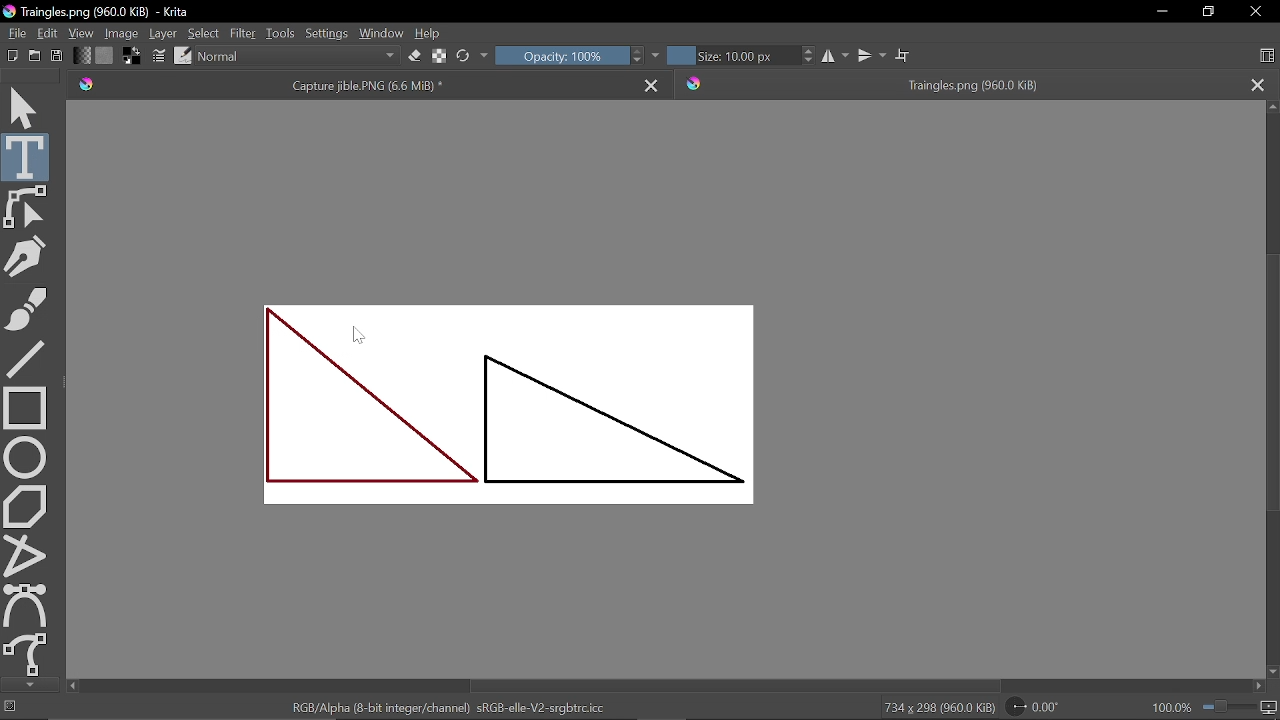 Image resolution: width=1280 pixels, height=720 pixels. Describe the element at coordinates (279, 35) in the screenshot. I see `Tools` at that location.